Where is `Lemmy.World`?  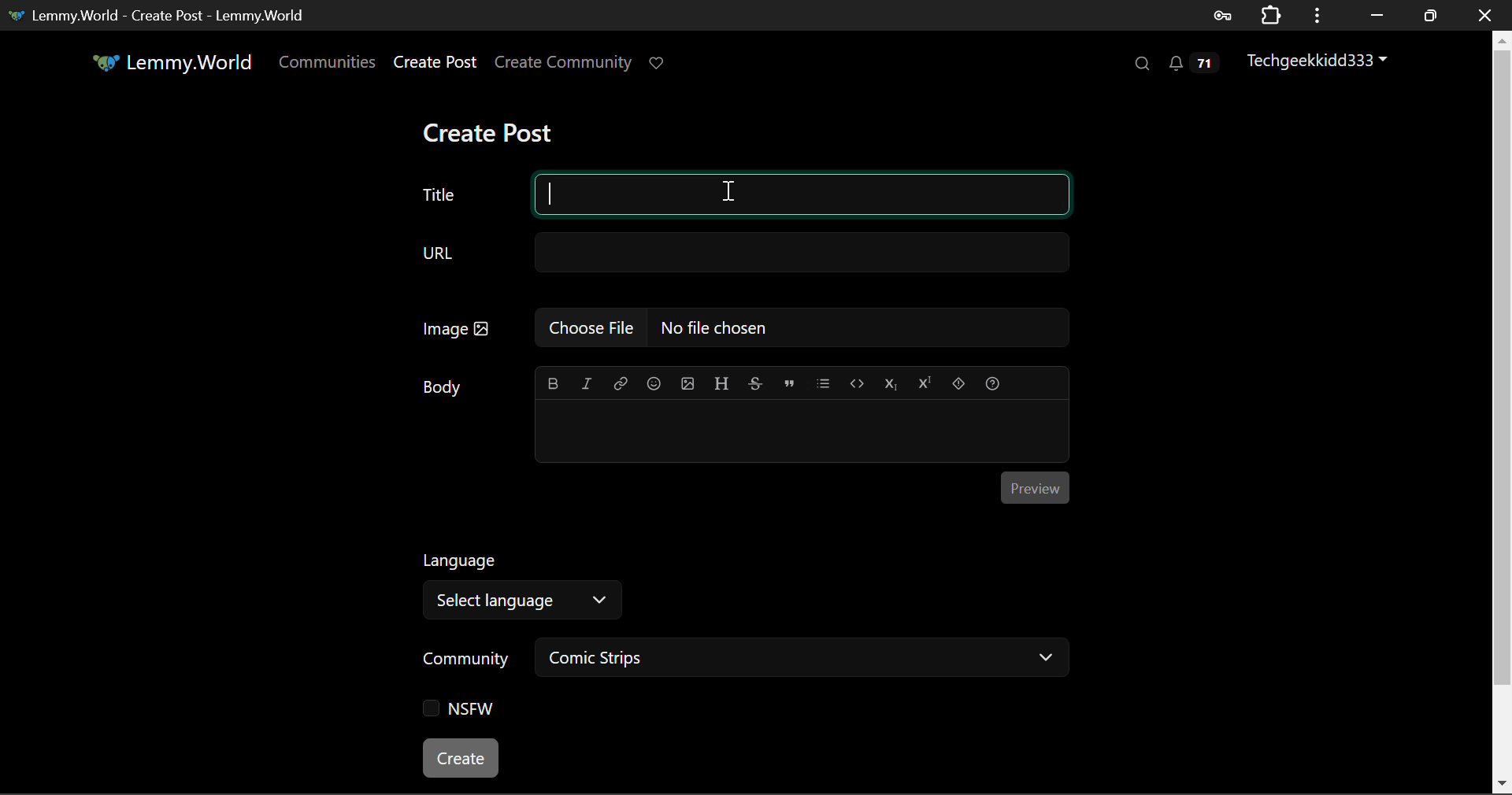 Lemmy.World is located at coordinates (170, 62).